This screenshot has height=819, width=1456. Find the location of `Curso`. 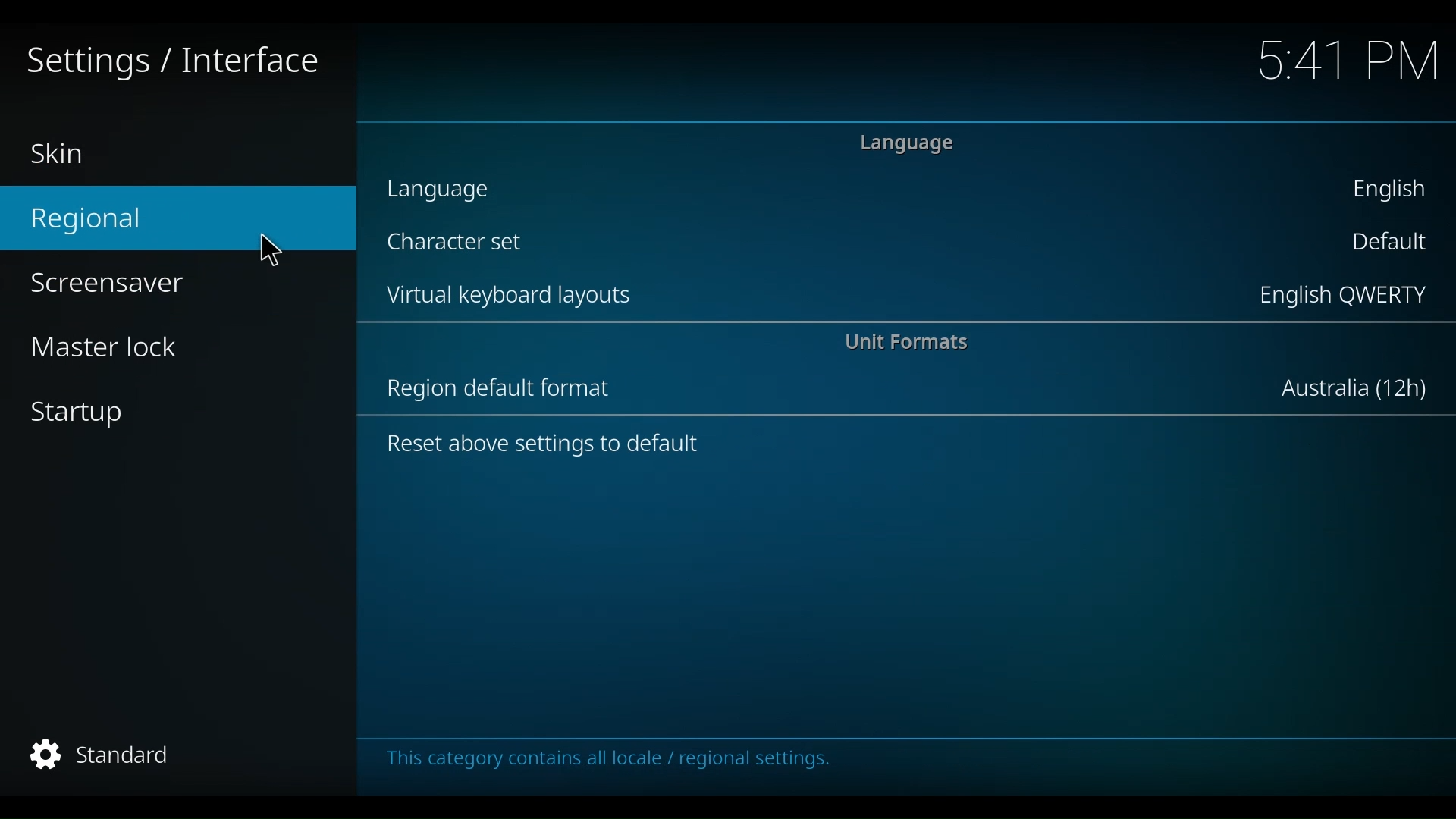

Curso is located at coordinates (280, 251).